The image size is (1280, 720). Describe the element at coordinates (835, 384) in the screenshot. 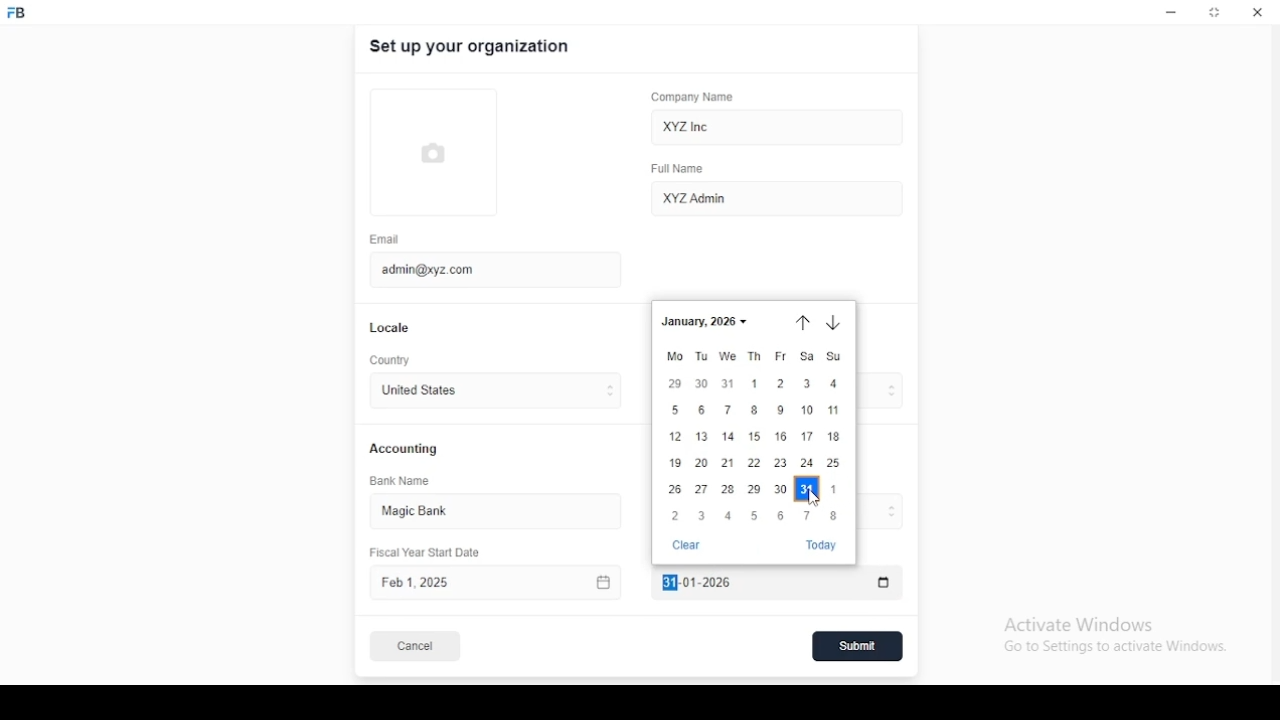

I see `4` at that location.